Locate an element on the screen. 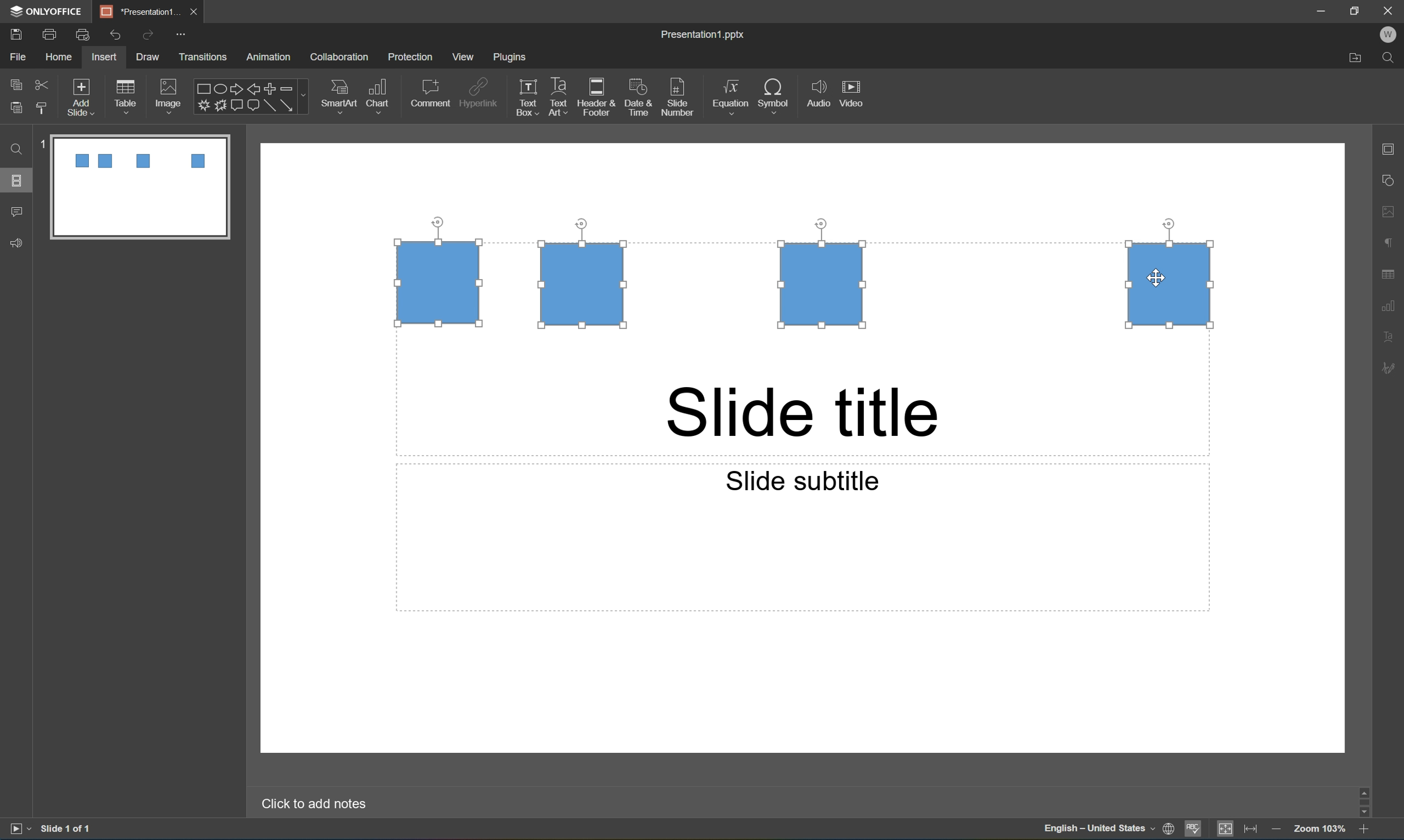 The width and height of the screenshot is (1404, 840). comments is located at coordinates (16, 212).